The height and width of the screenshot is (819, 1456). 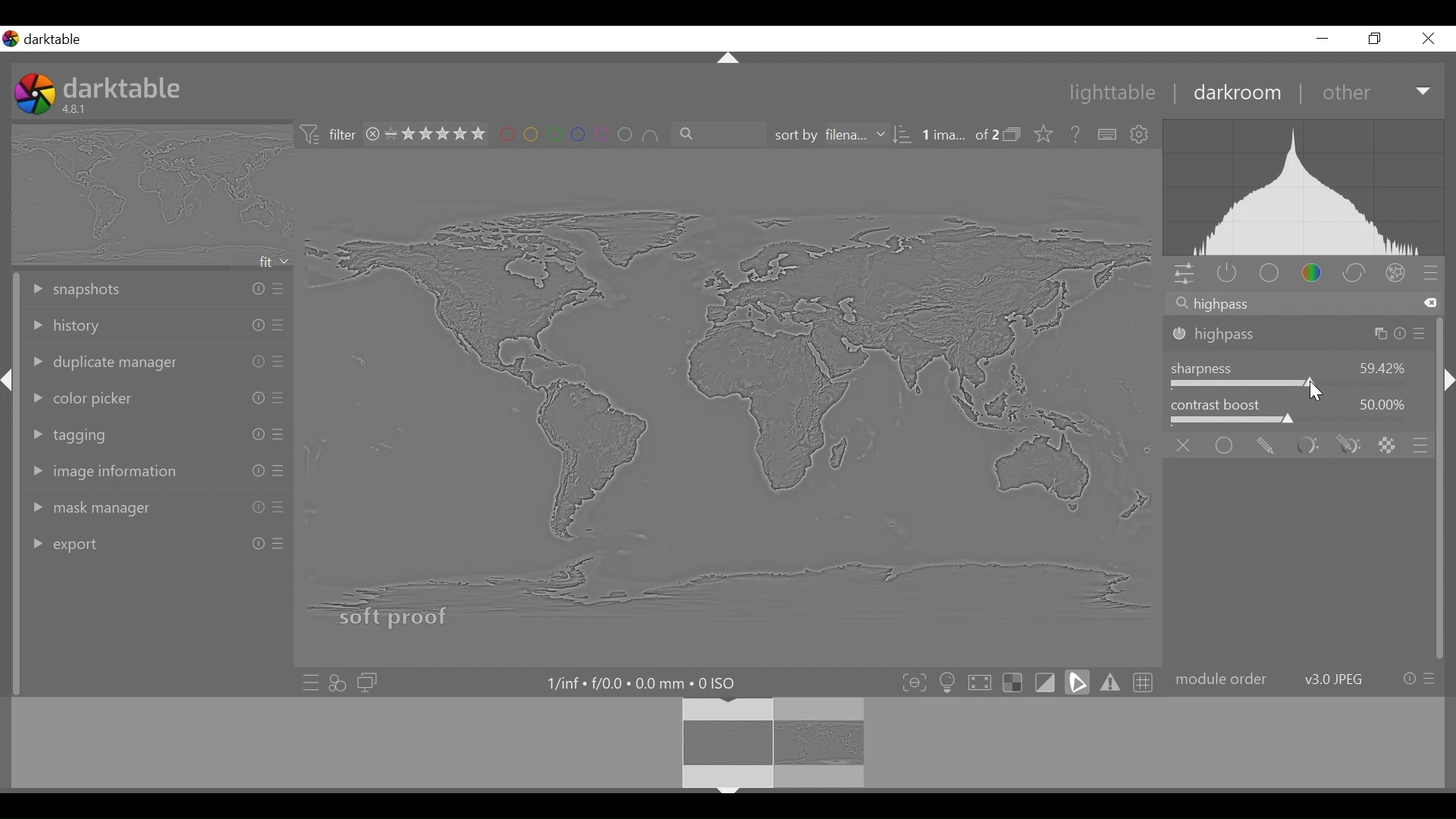 I want to click on expand/collapse, so click(x=1447, y=380).